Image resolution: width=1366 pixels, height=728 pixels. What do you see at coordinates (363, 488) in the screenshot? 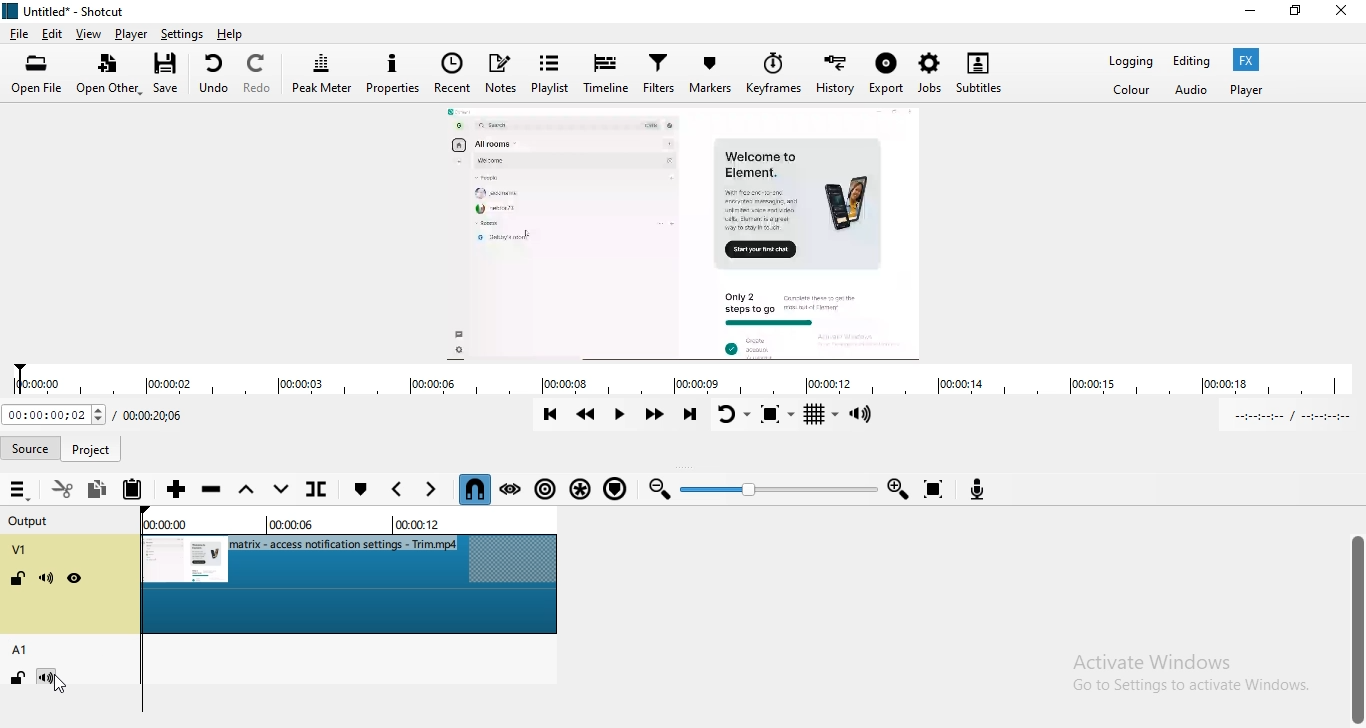
I see `create/edit marker` at bounding box center [363, 488].